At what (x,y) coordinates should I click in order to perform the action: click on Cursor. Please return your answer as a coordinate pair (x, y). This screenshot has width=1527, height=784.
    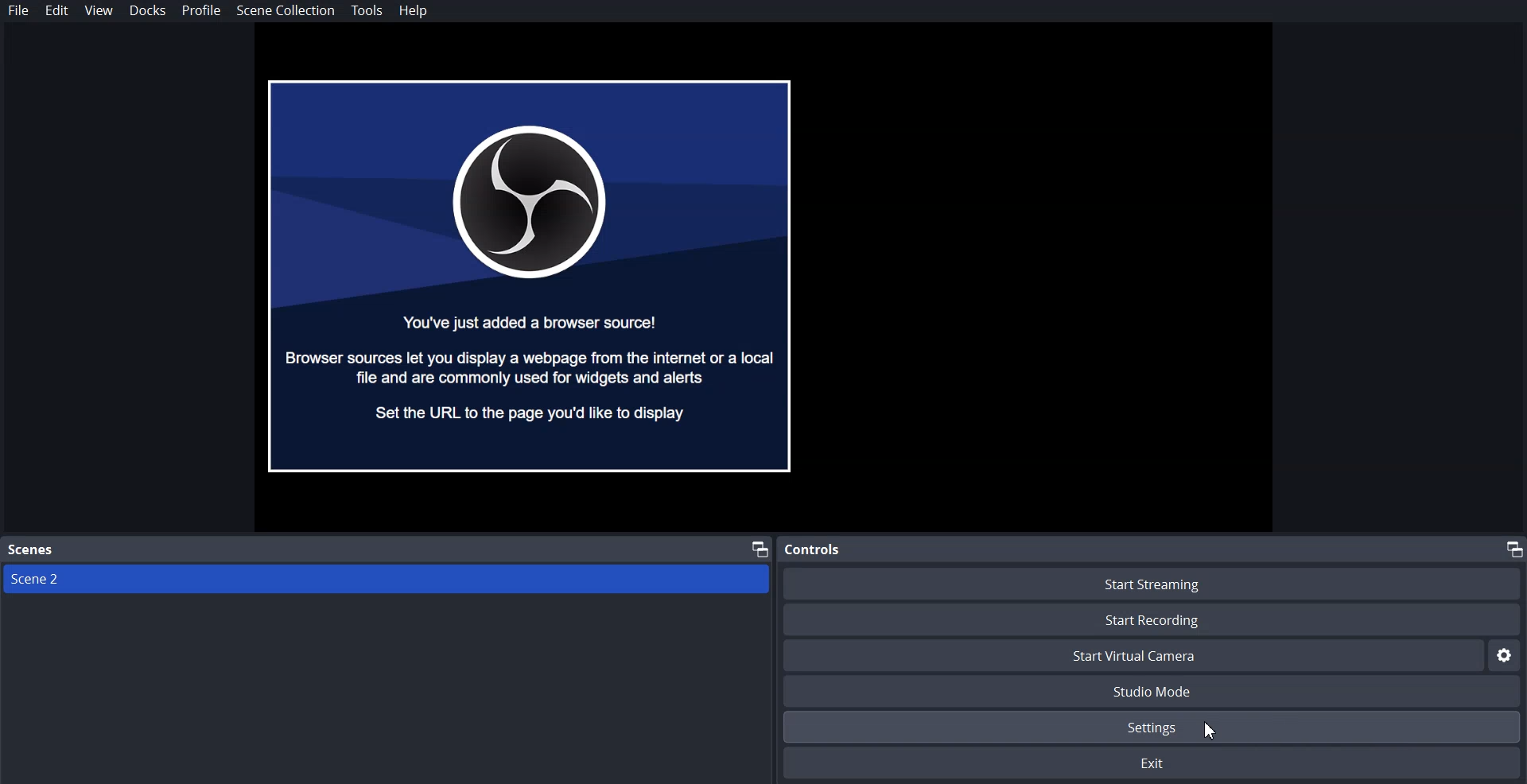
    Looking at the image, I should click on (1213, 728).